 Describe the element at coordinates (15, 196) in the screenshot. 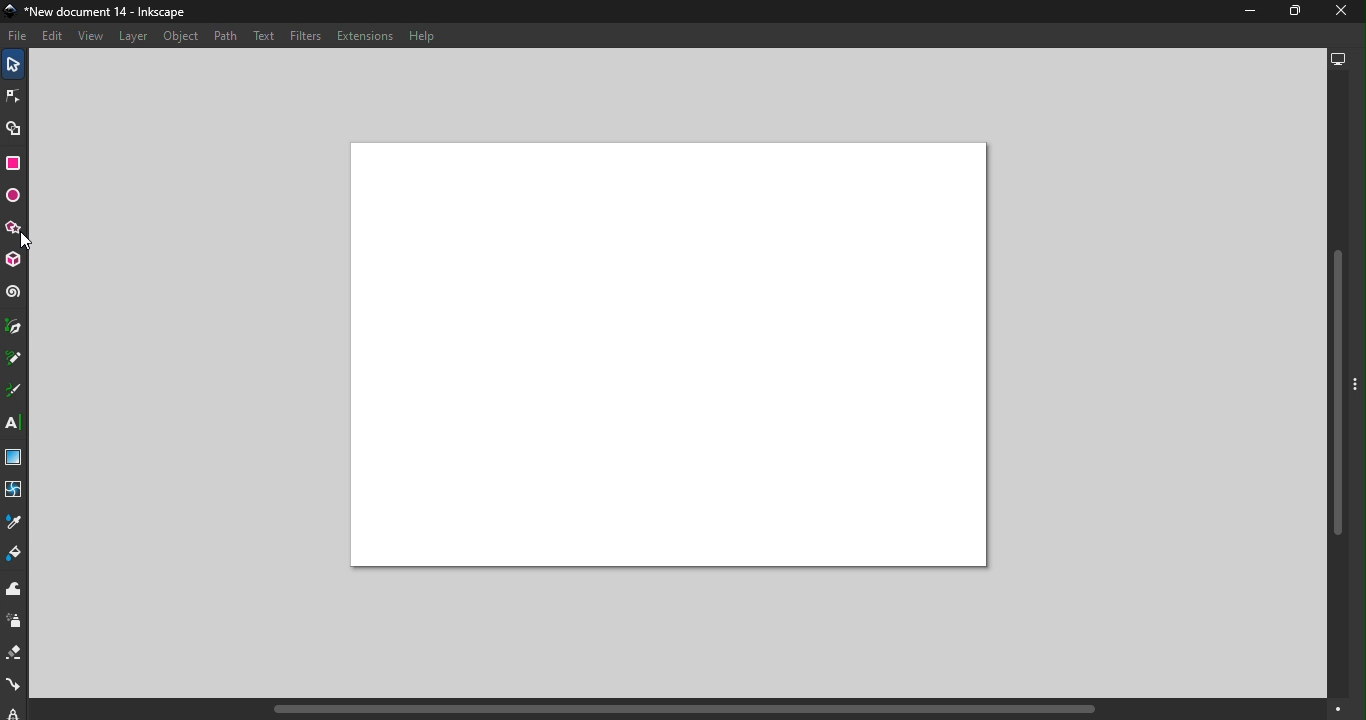

I see `Ellipse/Arc tool` at that location.